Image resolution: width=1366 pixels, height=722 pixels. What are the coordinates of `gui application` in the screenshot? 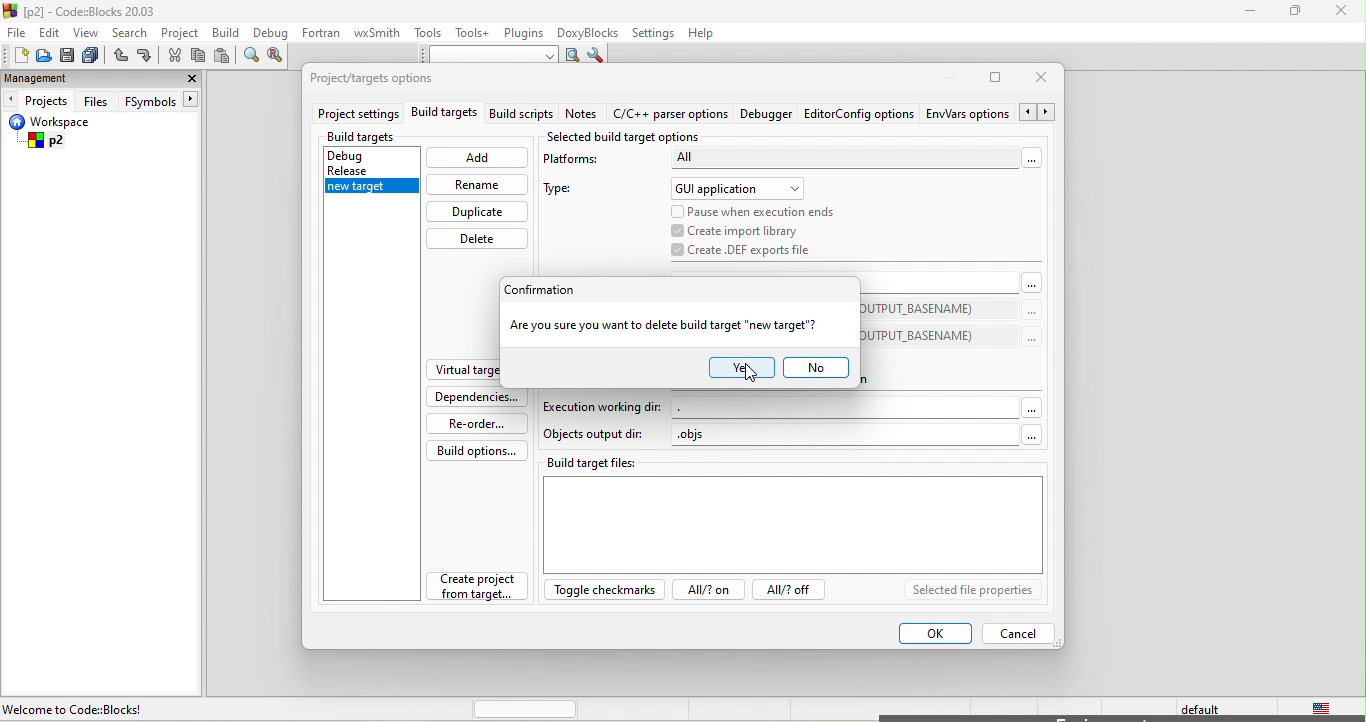 It's located at (740, 188).